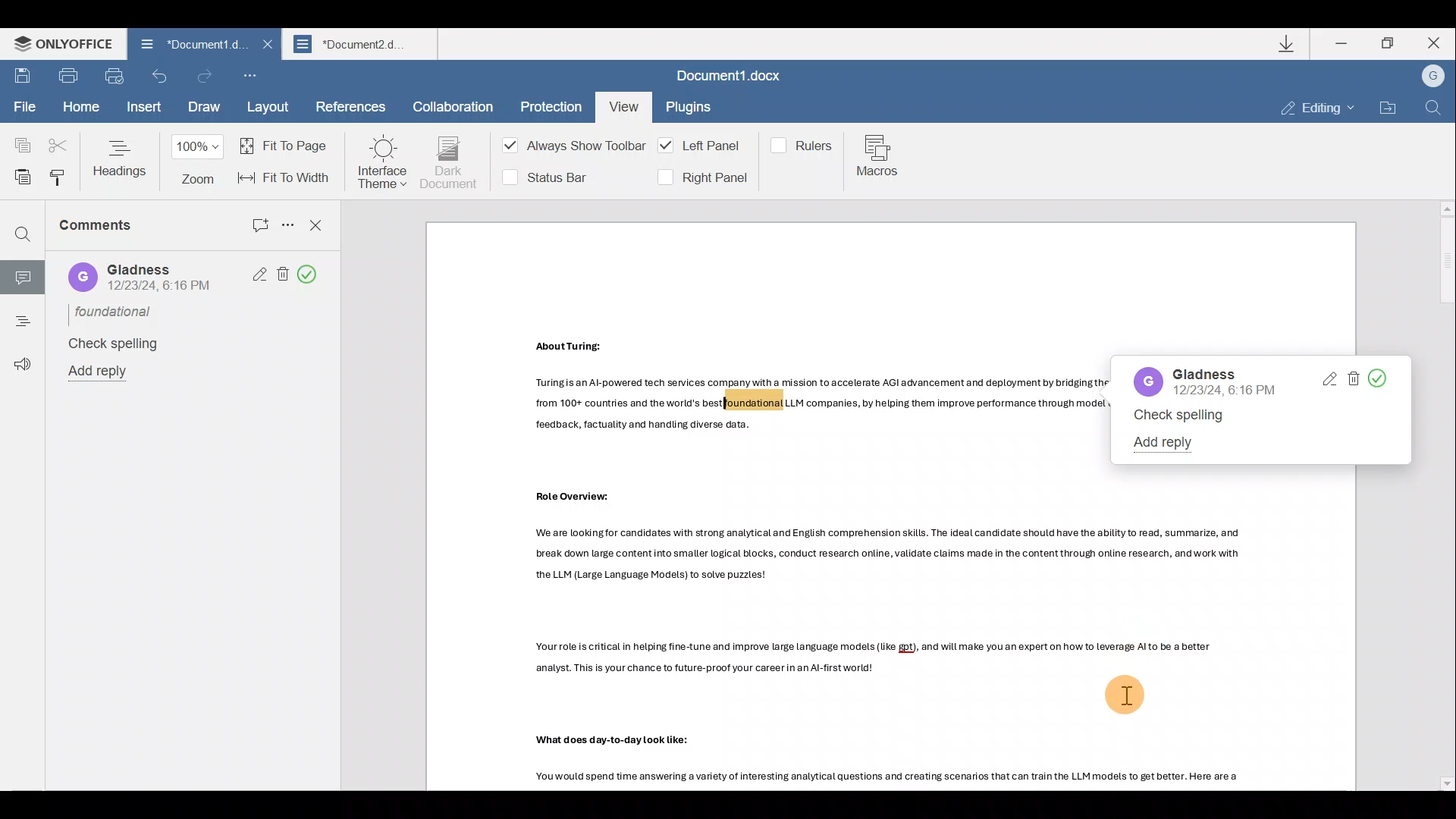 This screenshot has width=1456, height=819. Describe the element at coordinates (453, 105) in the screenshot. I see `Collaboration` at that location.